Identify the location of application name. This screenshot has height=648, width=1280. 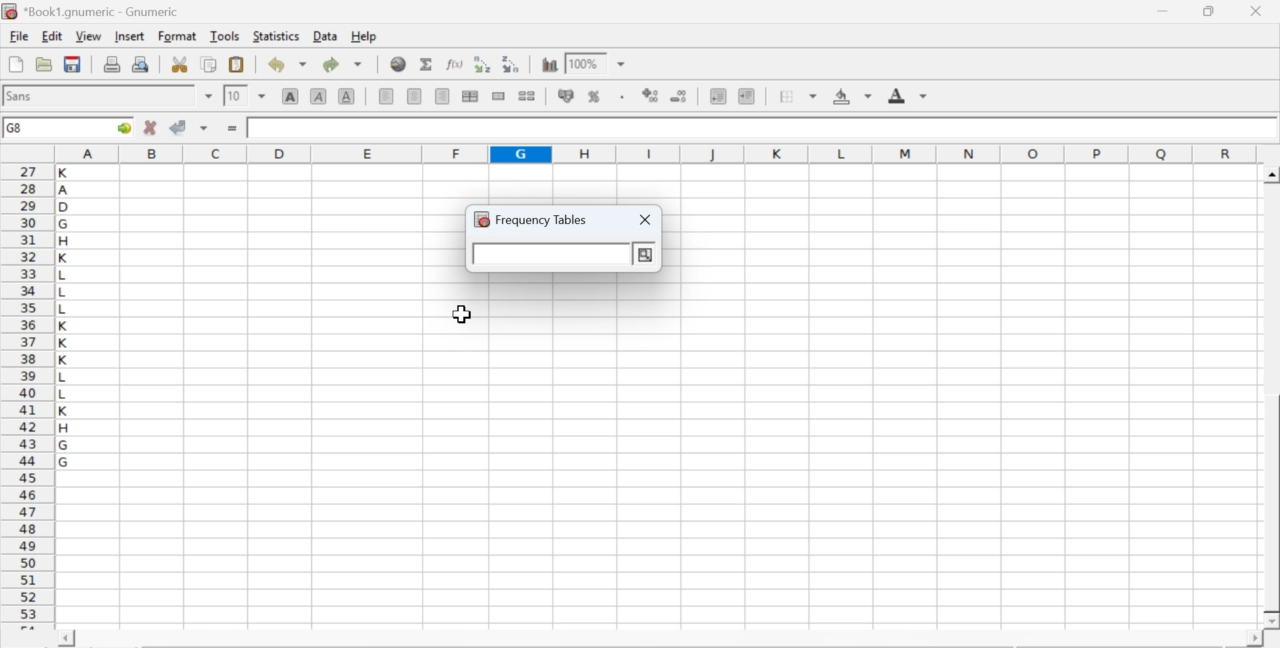
(94, 9).